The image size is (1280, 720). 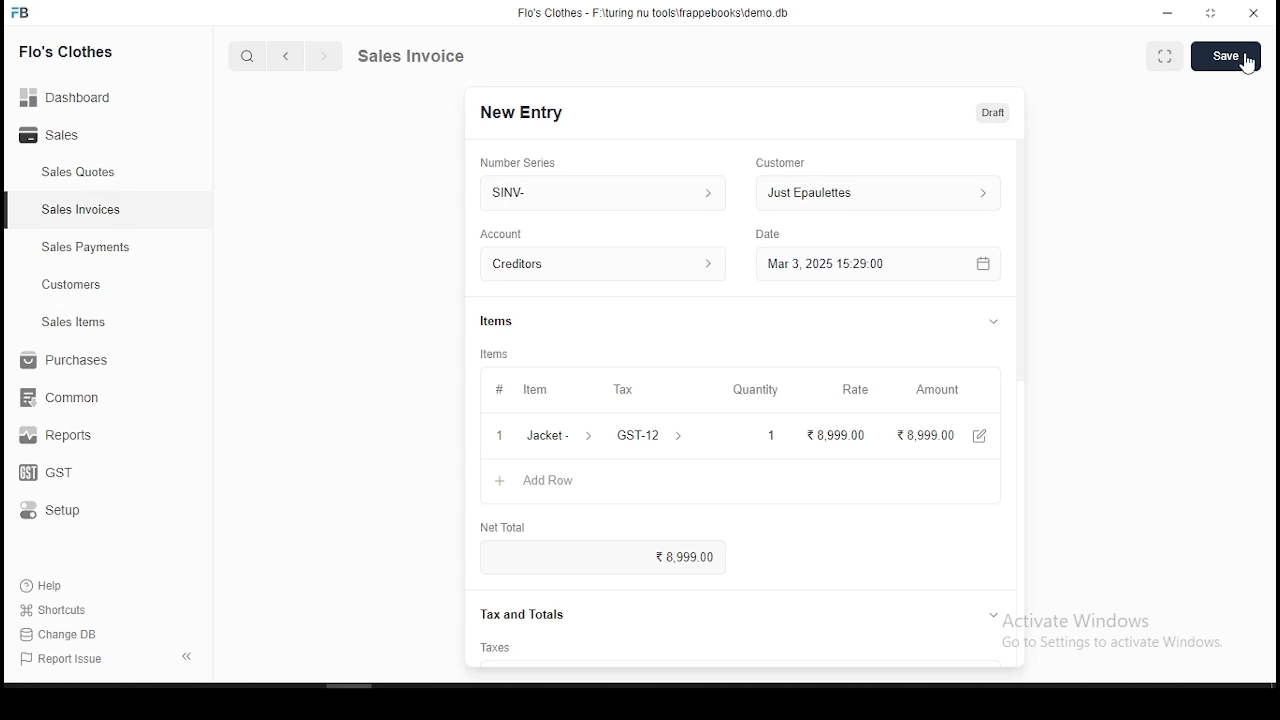 What do you see at coordinates (987, 614) in the screenshot?
I see `expand` at bounding box center [987, 614].